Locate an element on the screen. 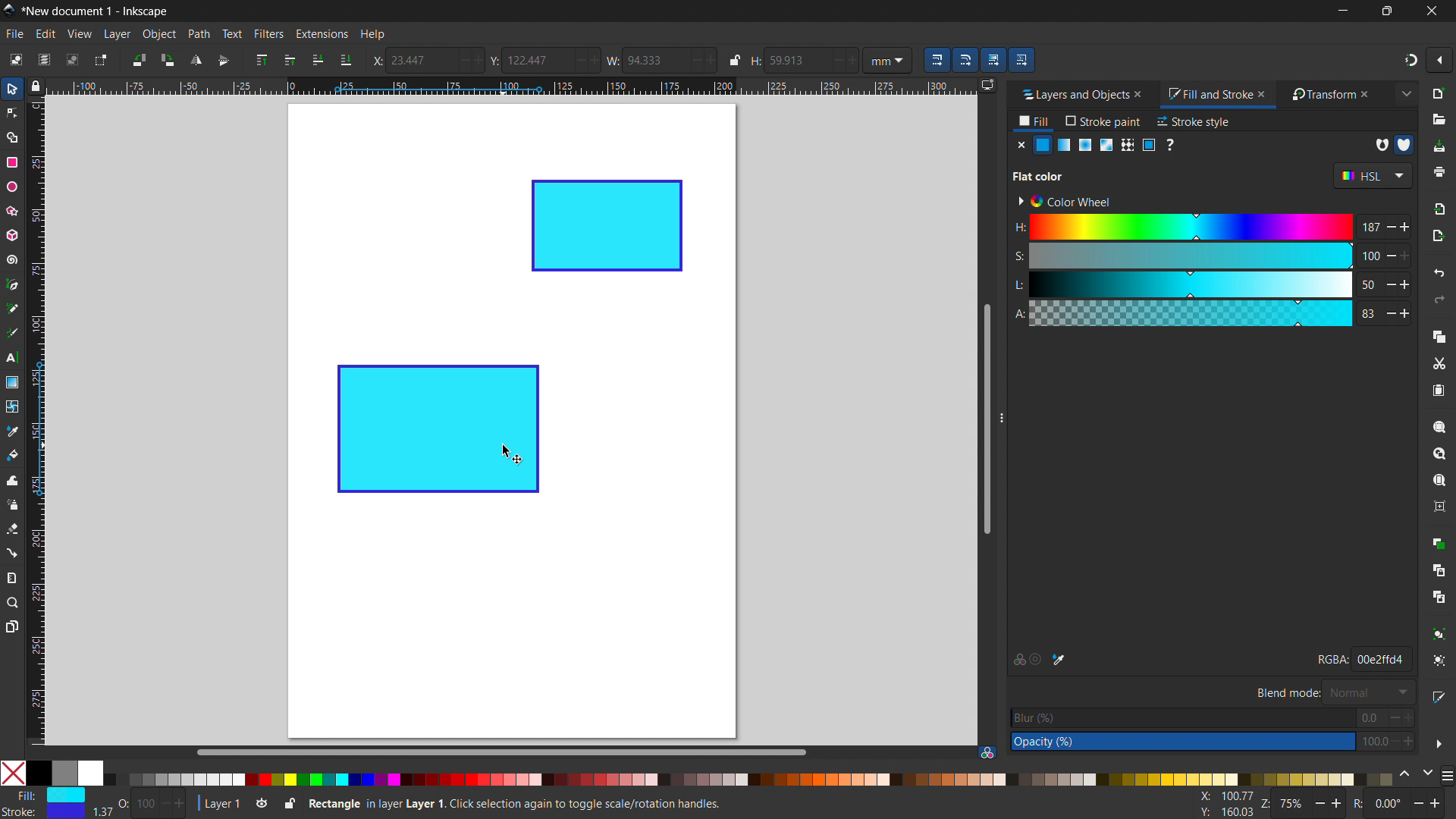 The width and height of the screenshot is (1456, 819). S: 100 is located at coordinates (1208, 255).